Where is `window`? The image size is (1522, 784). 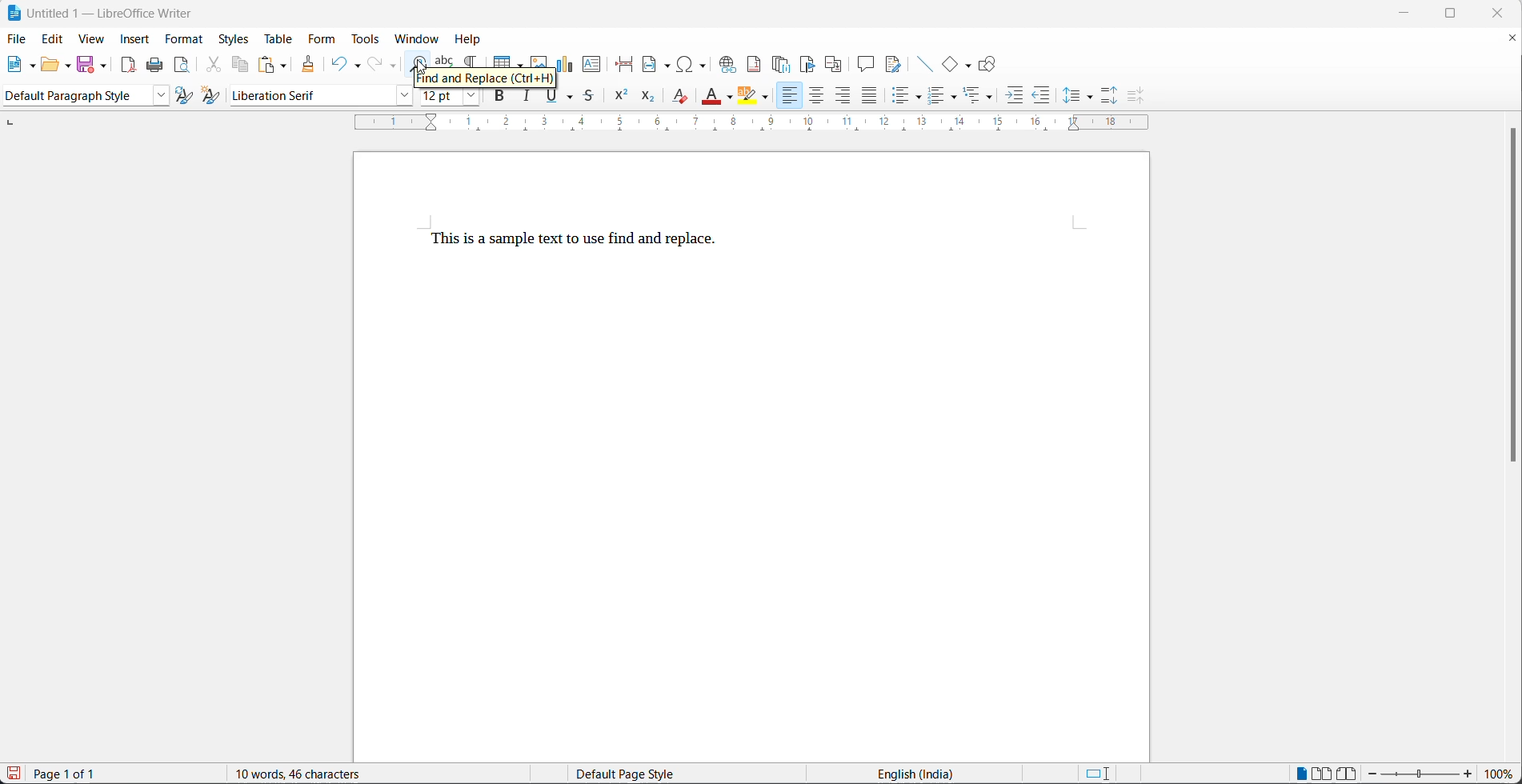
window is located at coordinates (419, 38).